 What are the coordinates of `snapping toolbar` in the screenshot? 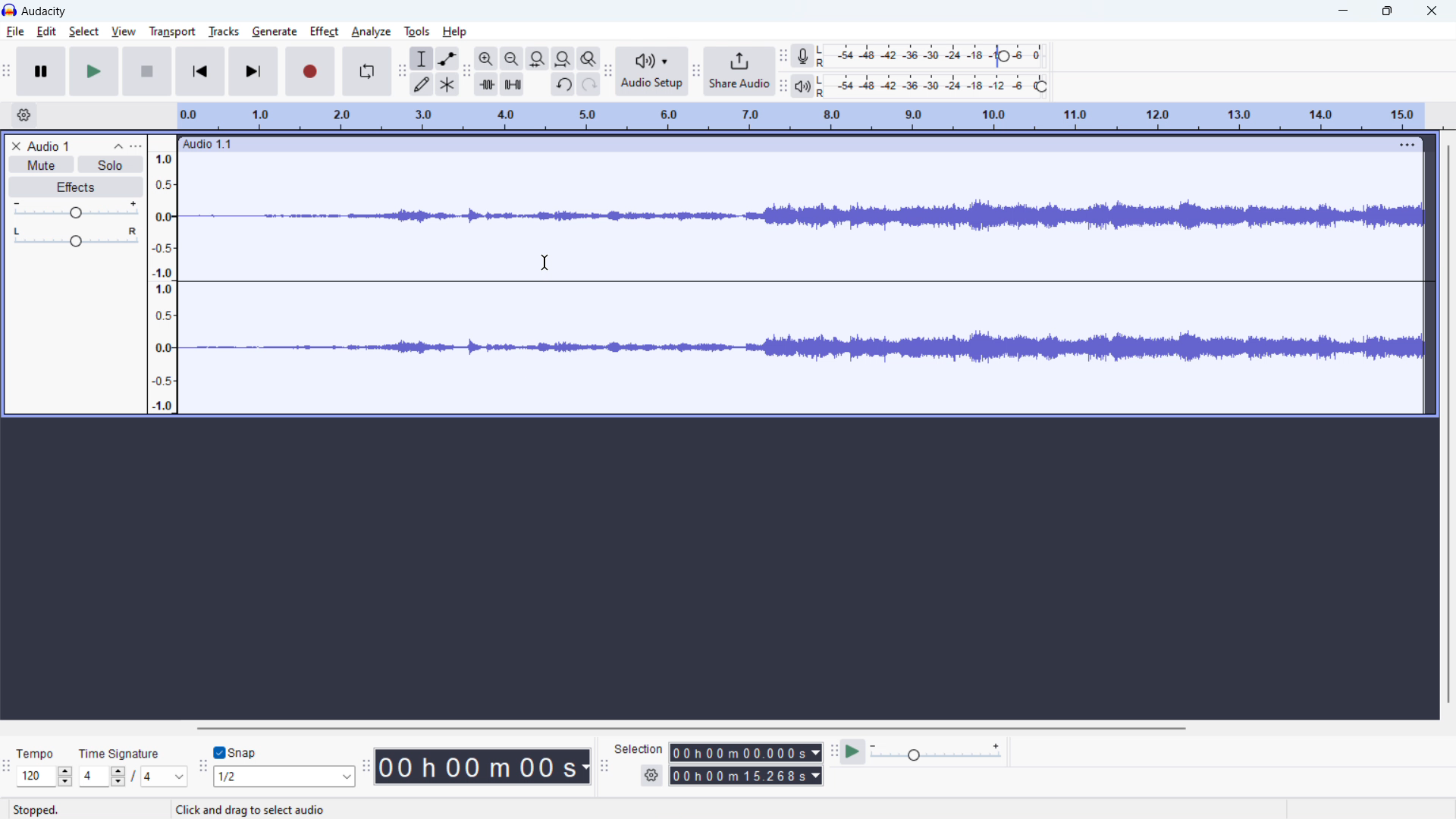 It's located at (203, 764).